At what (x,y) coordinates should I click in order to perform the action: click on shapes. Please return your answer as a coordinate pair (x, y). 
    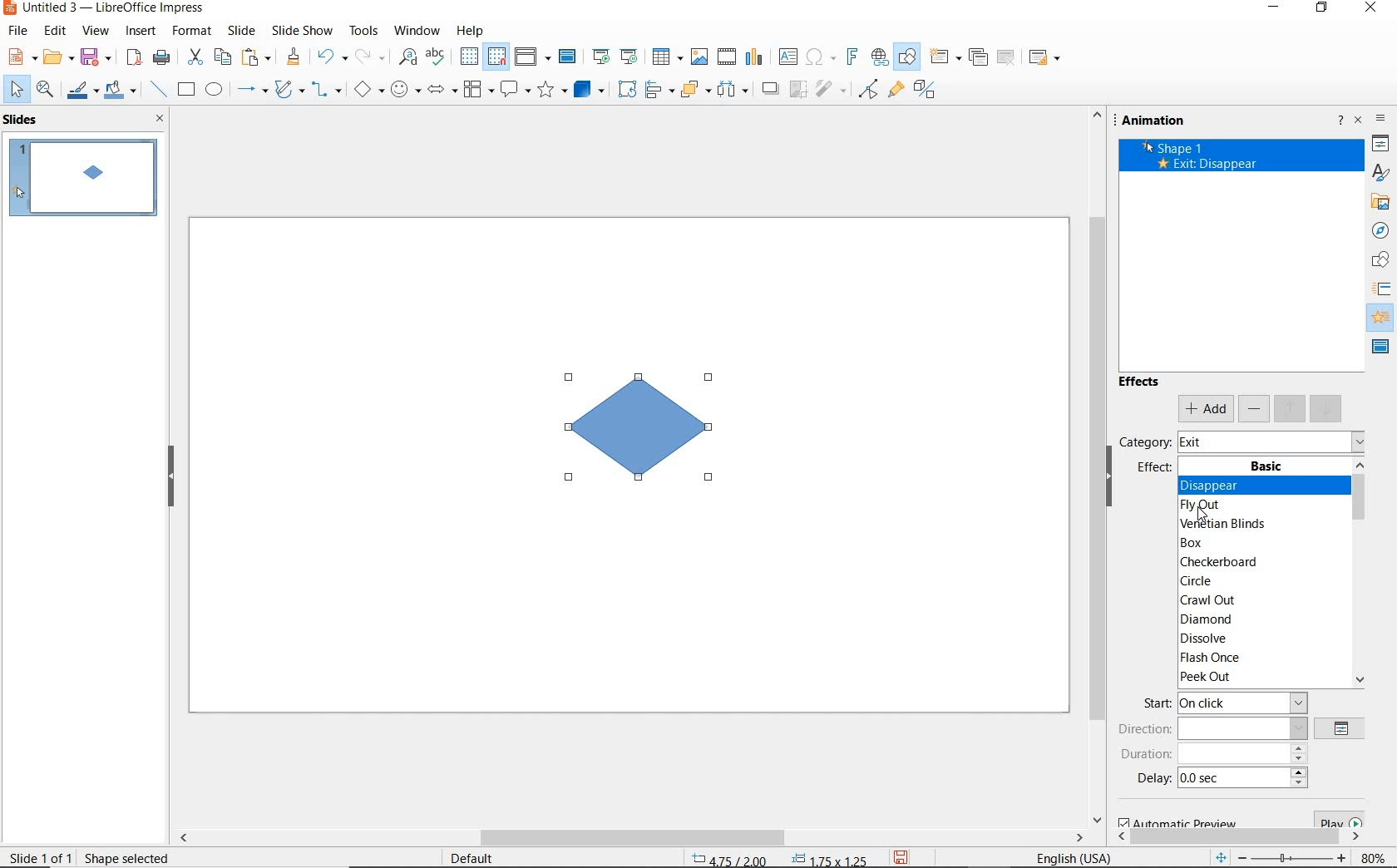
    Looking at the image, I should click on (1378, 259).